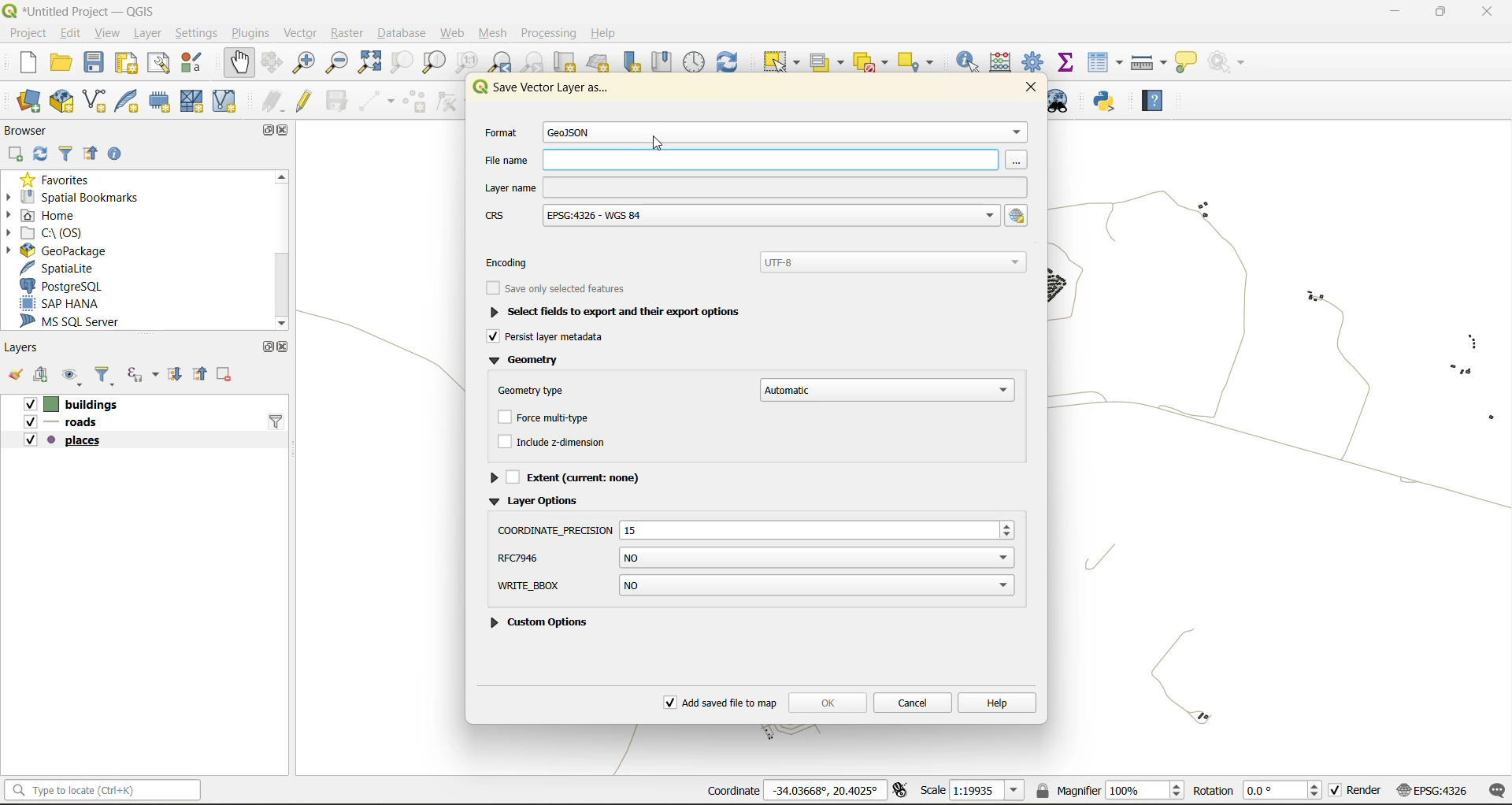 The width and height of the screenshot is (1512, 805). I want to click on pan selection, so click(271, 62).